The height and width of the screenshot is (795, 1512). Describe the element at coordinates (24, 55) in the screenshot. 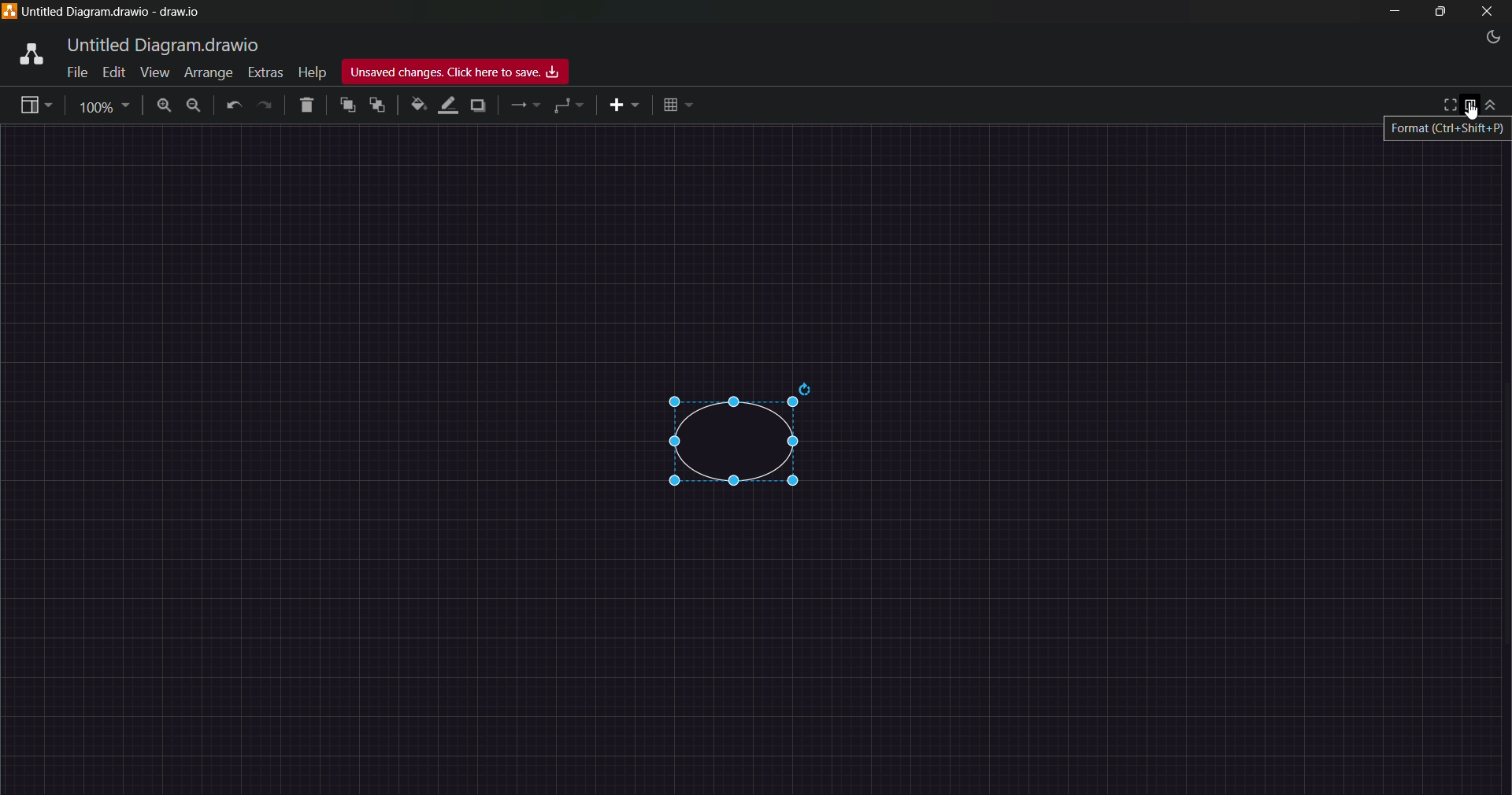

I see `draw.io logo` at that location.